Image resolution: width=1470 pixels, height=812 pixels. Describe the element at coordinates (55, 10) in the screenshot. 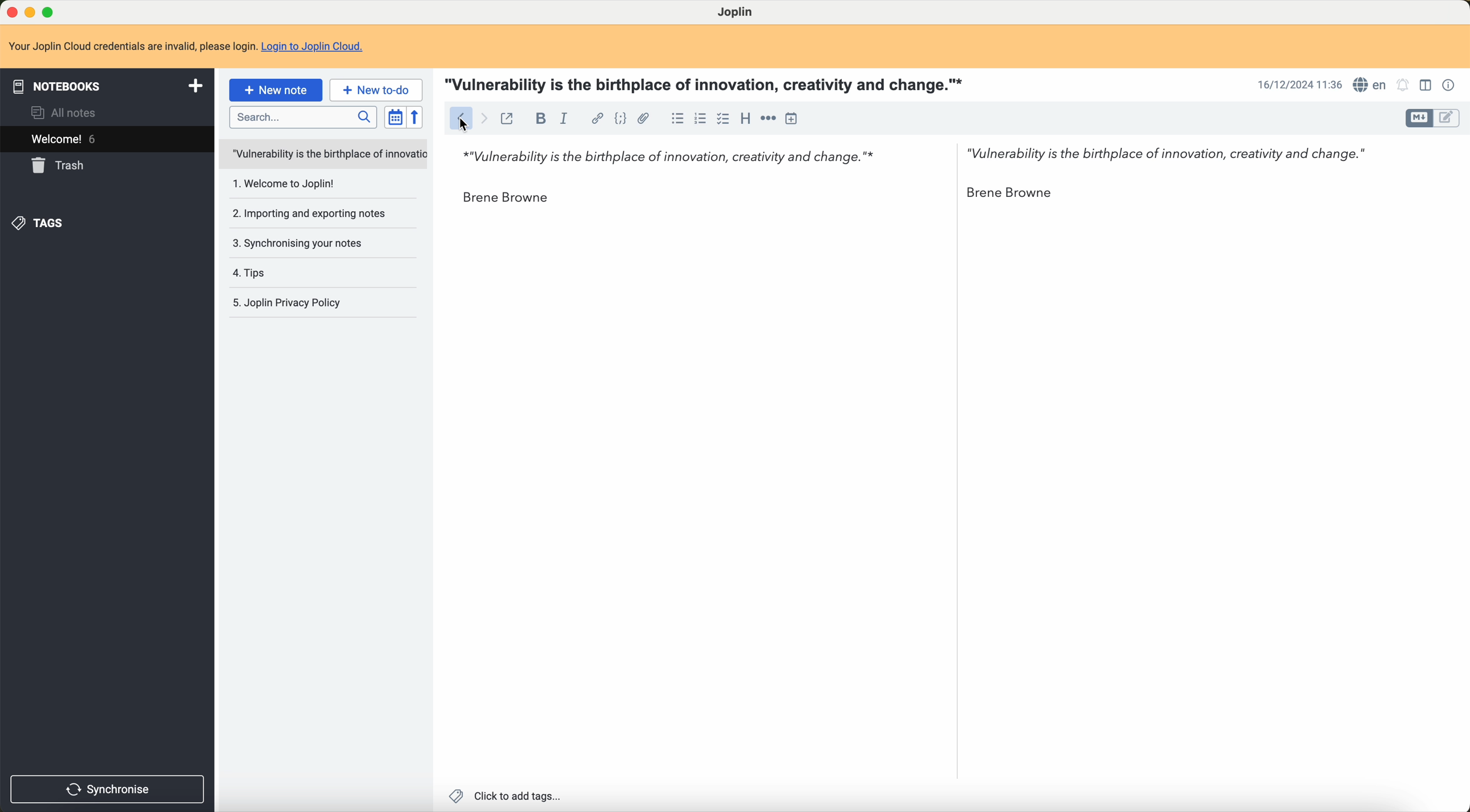

I see `maximize` at that location.